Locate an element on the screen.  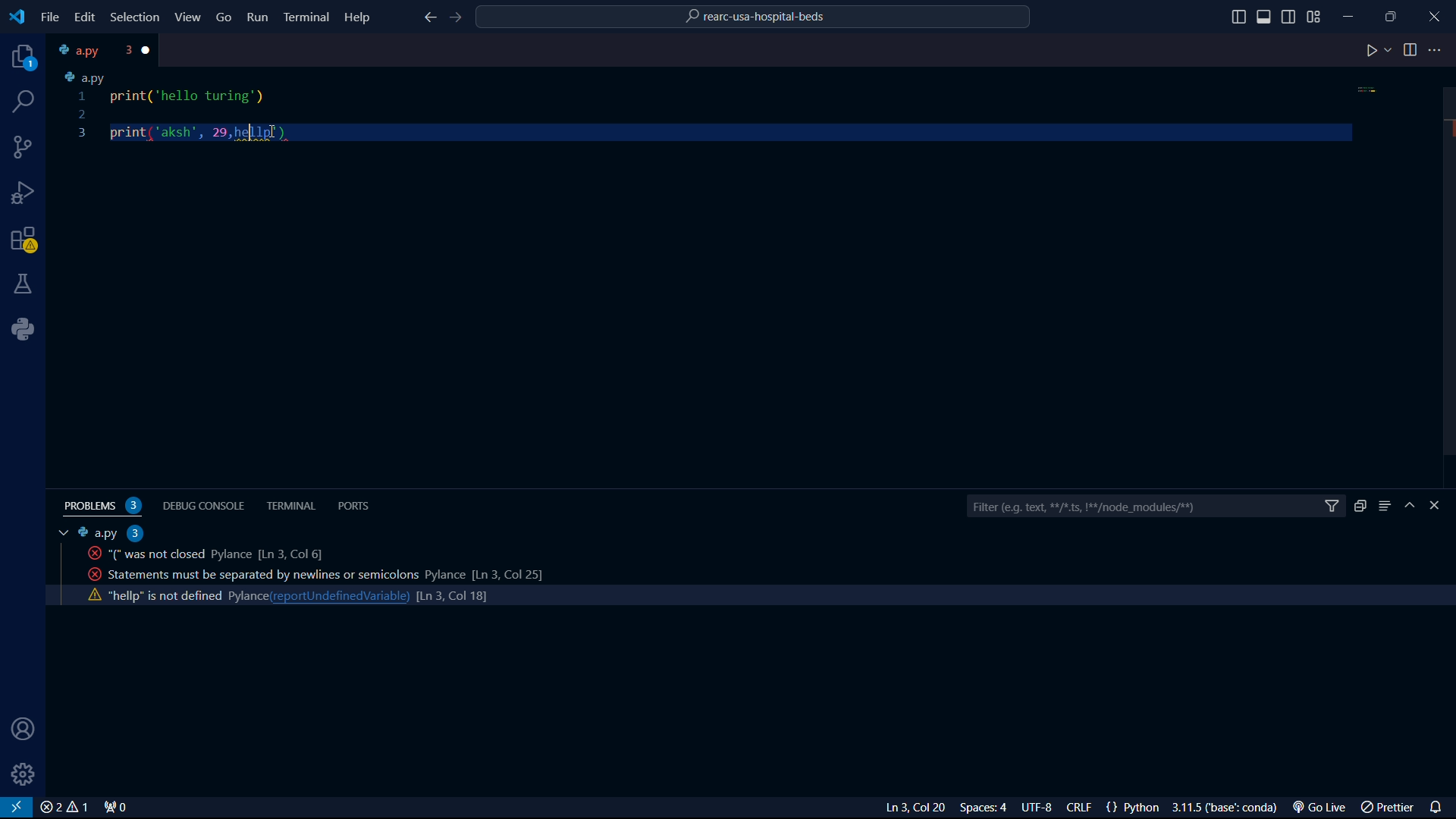
activity code is located at coordinates (200, 554).